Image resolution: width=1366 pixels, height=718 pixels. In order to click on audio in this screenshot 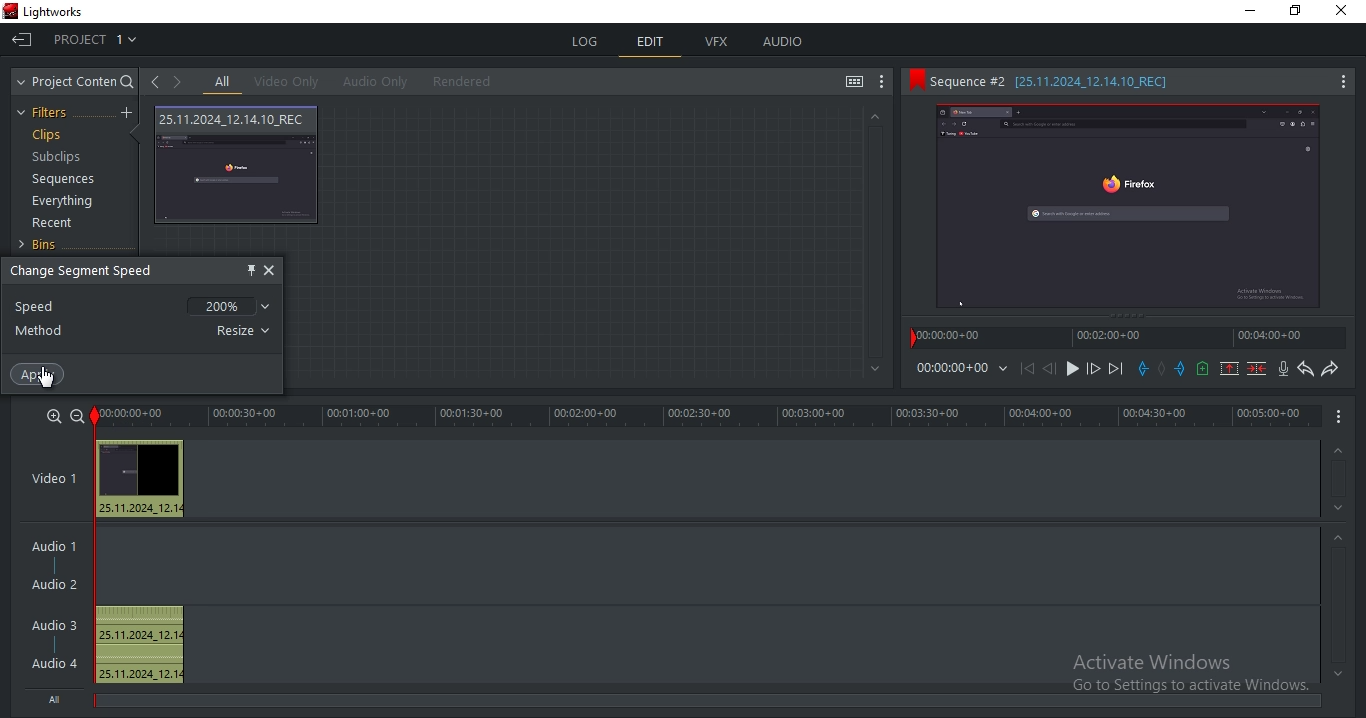, I will do `click(57, 608)`.